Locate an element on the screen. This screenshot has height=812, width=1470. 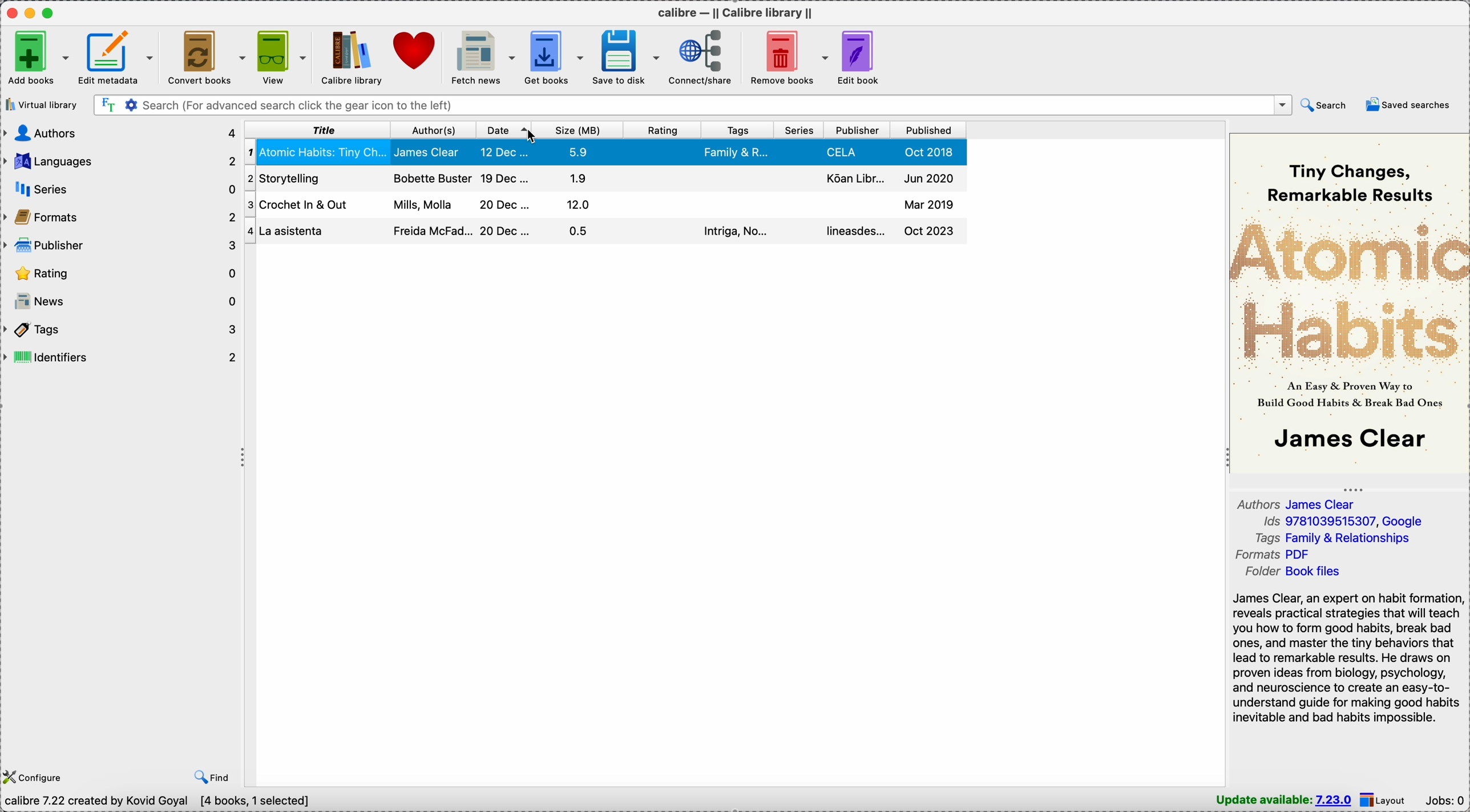
get books is located at coordinates (556, 58).